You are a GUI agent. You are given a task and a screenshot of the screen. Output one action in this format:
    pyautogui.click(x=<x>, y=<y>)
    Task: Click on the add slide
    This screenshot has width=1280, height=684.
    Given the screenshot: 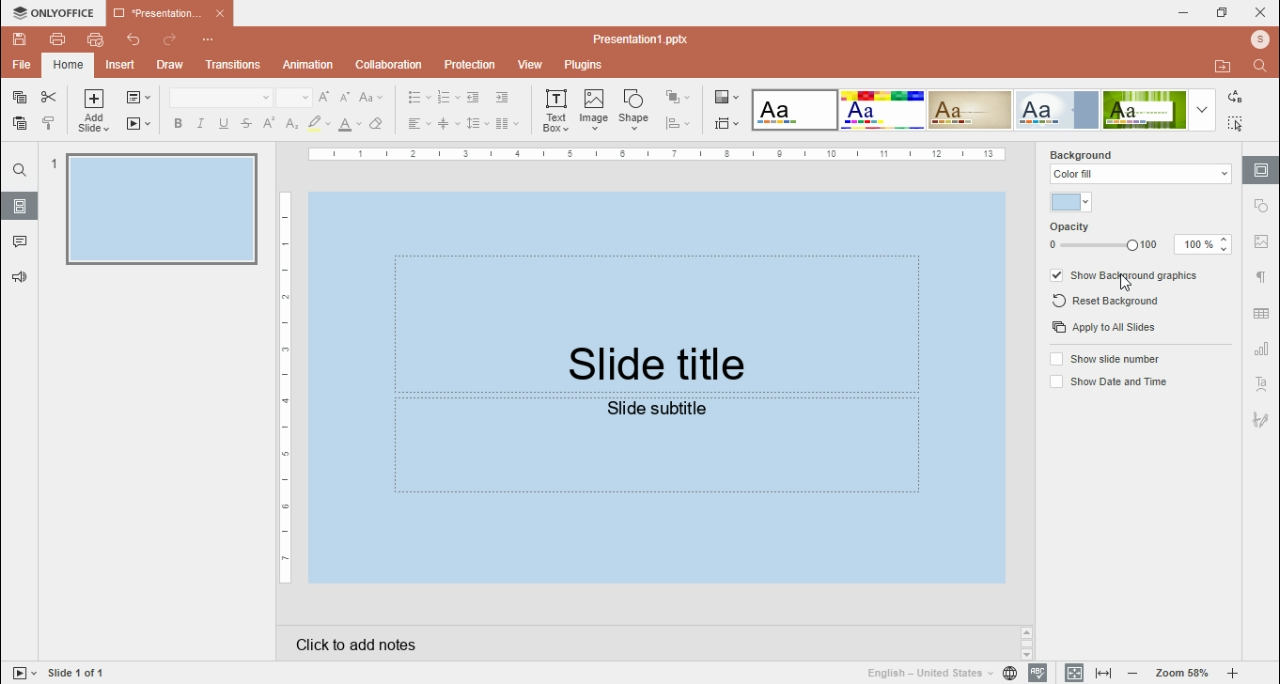 What is the action you would take?
    pyautogui.click(x=93, y=111)
    